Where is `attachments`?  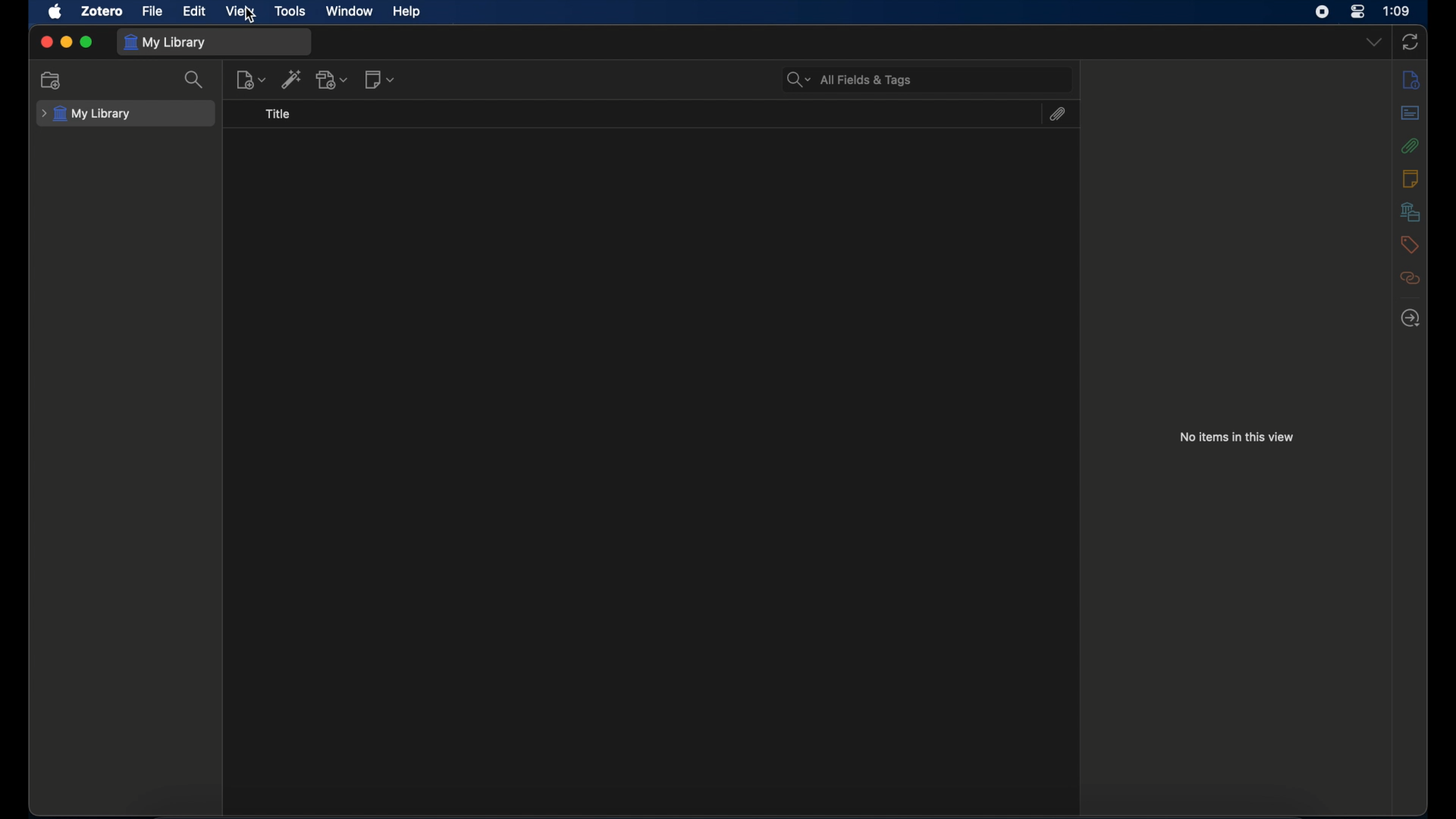 attachments is located at coordinates (1409, 146).